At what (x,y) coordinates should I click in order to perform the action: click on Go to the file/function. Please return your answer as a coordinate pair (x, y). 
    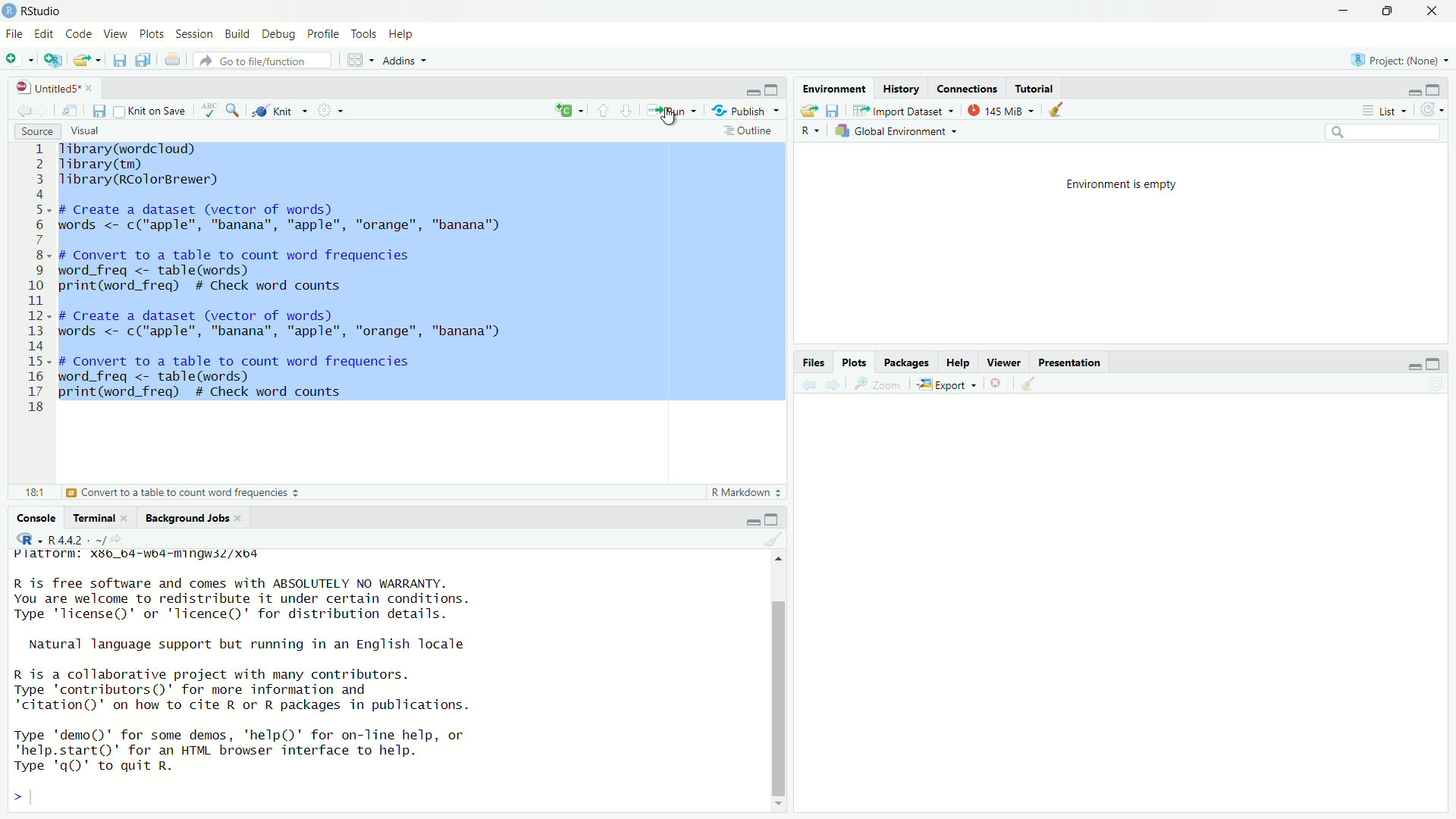
    Looking at the image, I should click on (262, 61).